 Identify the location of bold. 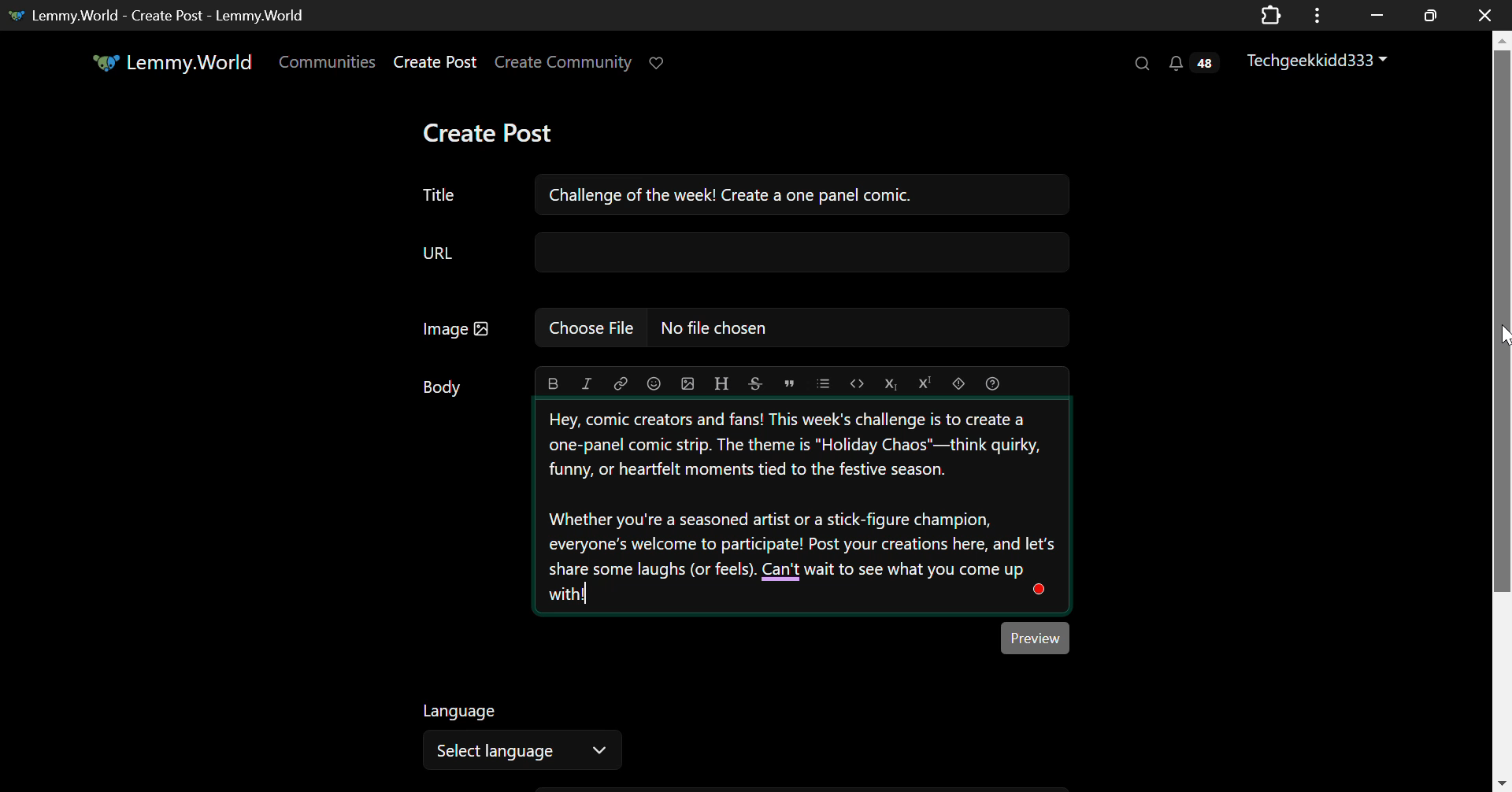
(550, 383).